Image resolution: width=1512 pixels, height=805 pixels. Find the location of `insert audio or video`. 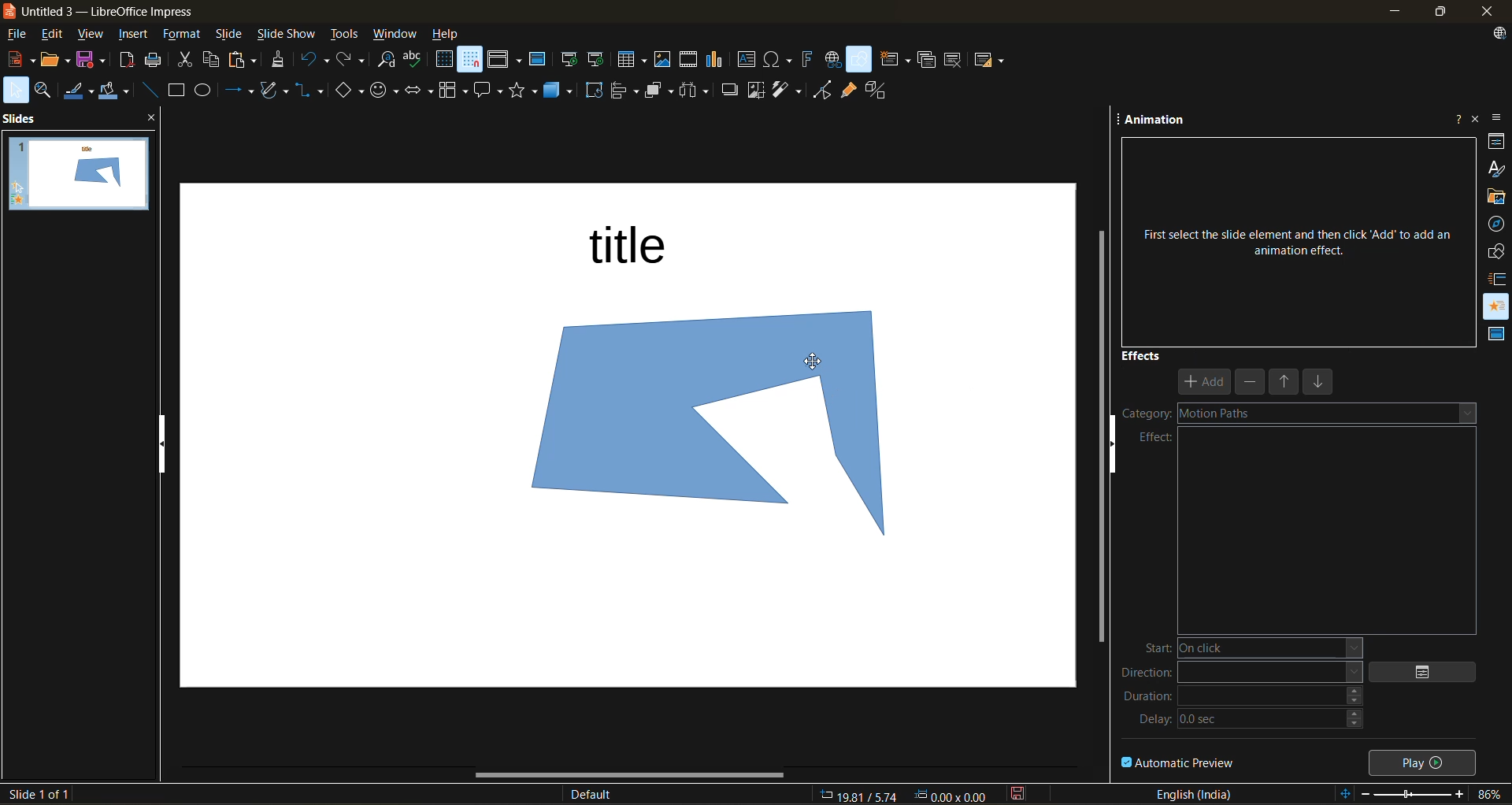

insert audio or video is located at coordinates (690, 60).